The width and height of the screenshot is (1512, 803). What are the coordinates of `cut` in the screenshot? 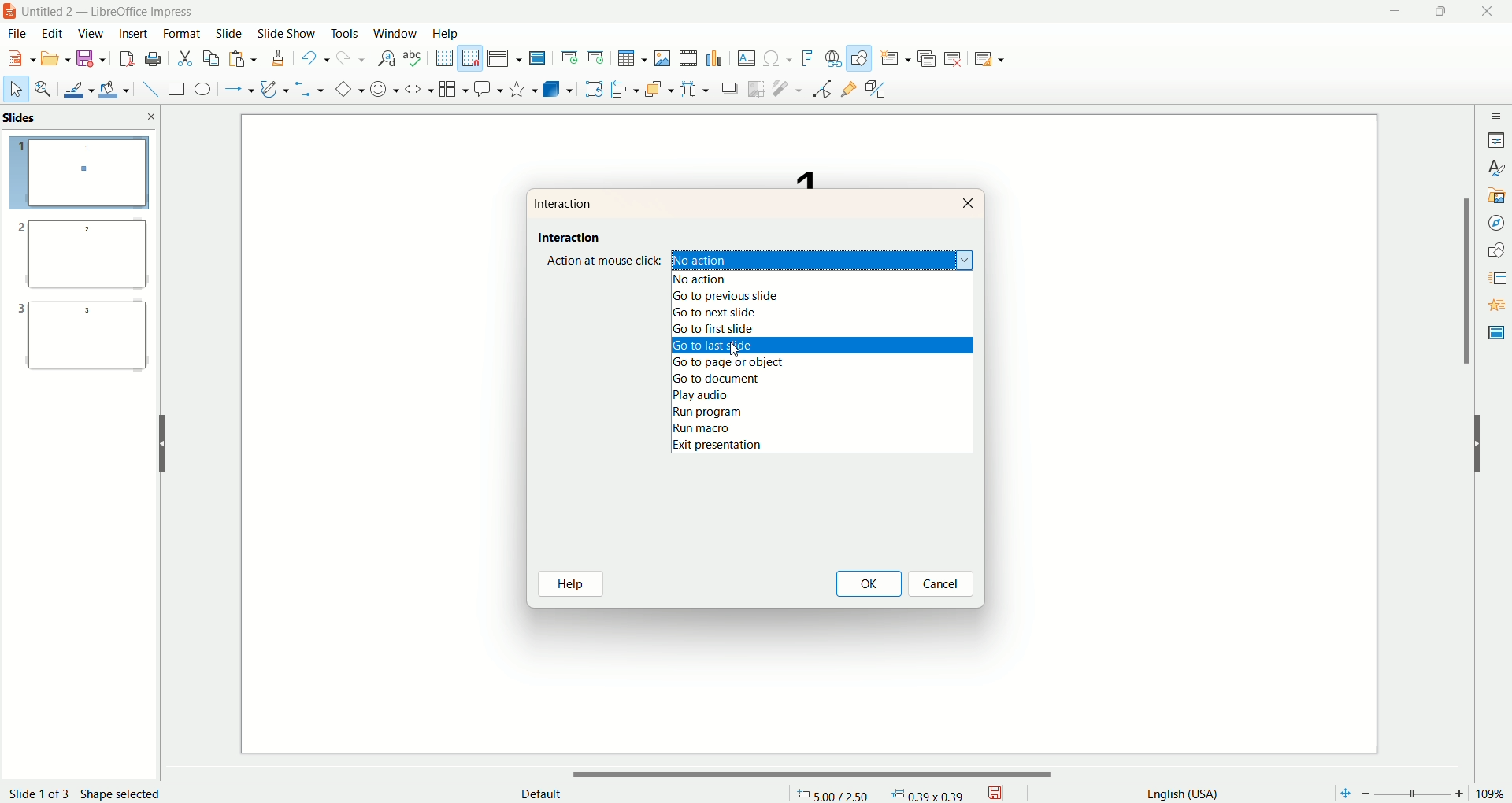 It's located at (186, 57).